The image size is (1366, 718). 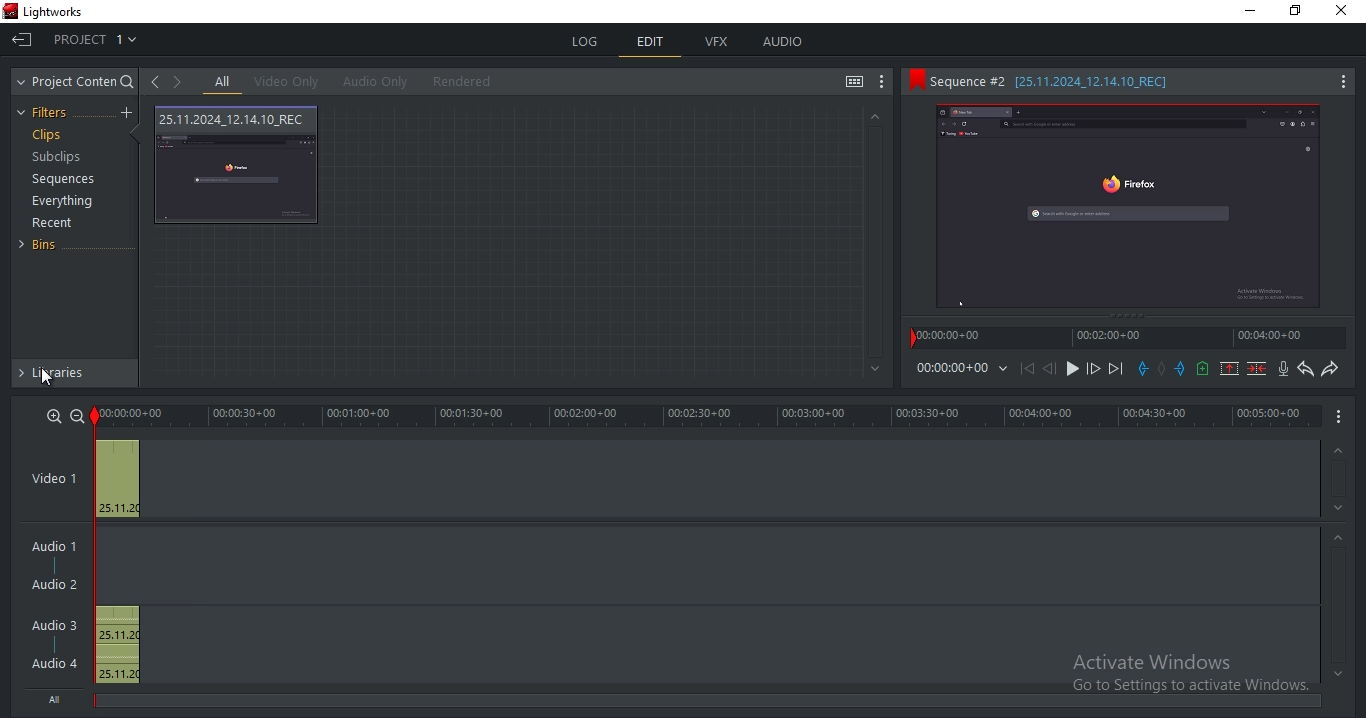 I want to click on options, so click(x=1337, y=418).